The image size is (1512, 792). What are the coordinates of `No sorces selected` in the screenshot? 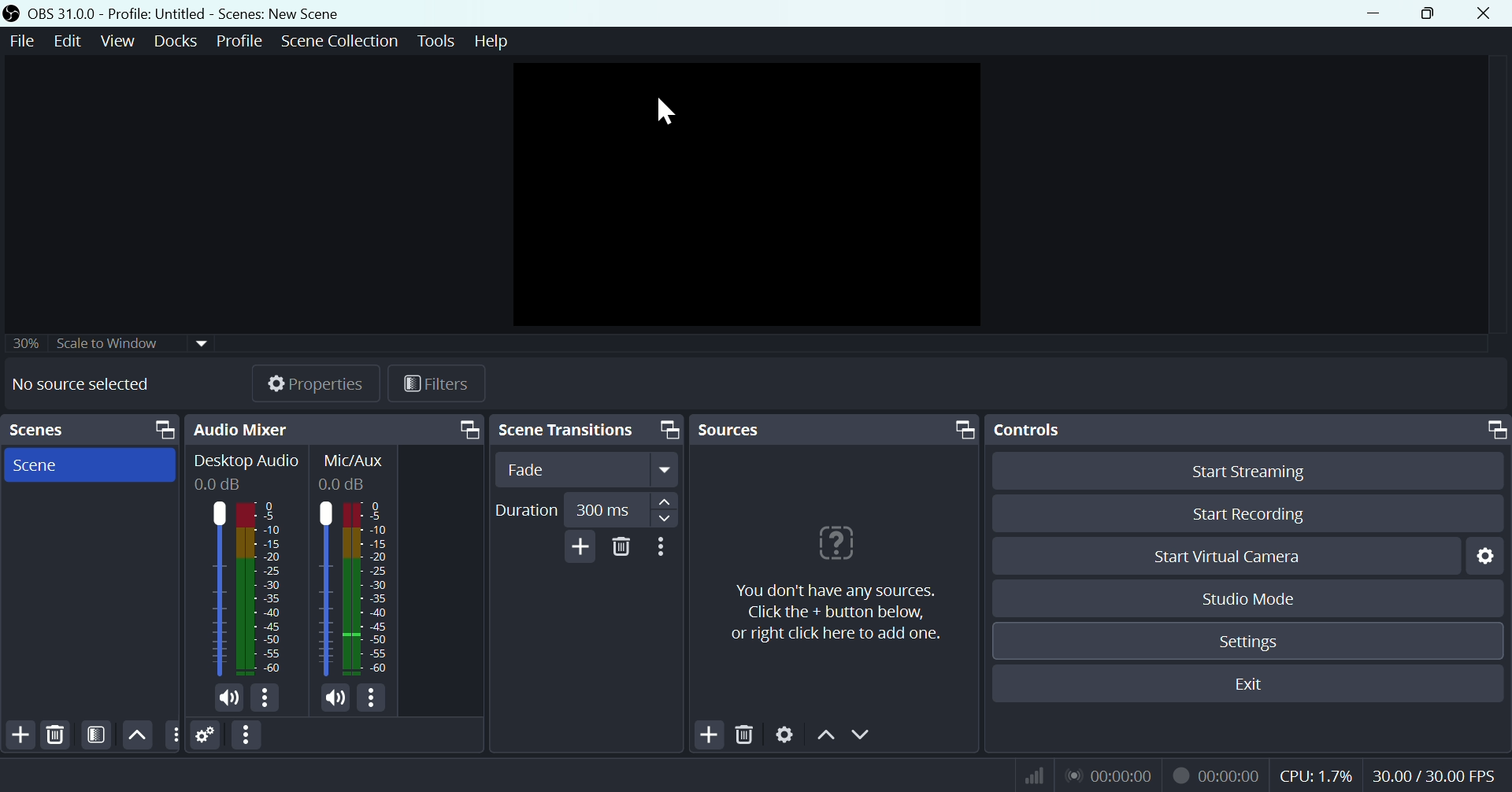 It's located at (77, 385).